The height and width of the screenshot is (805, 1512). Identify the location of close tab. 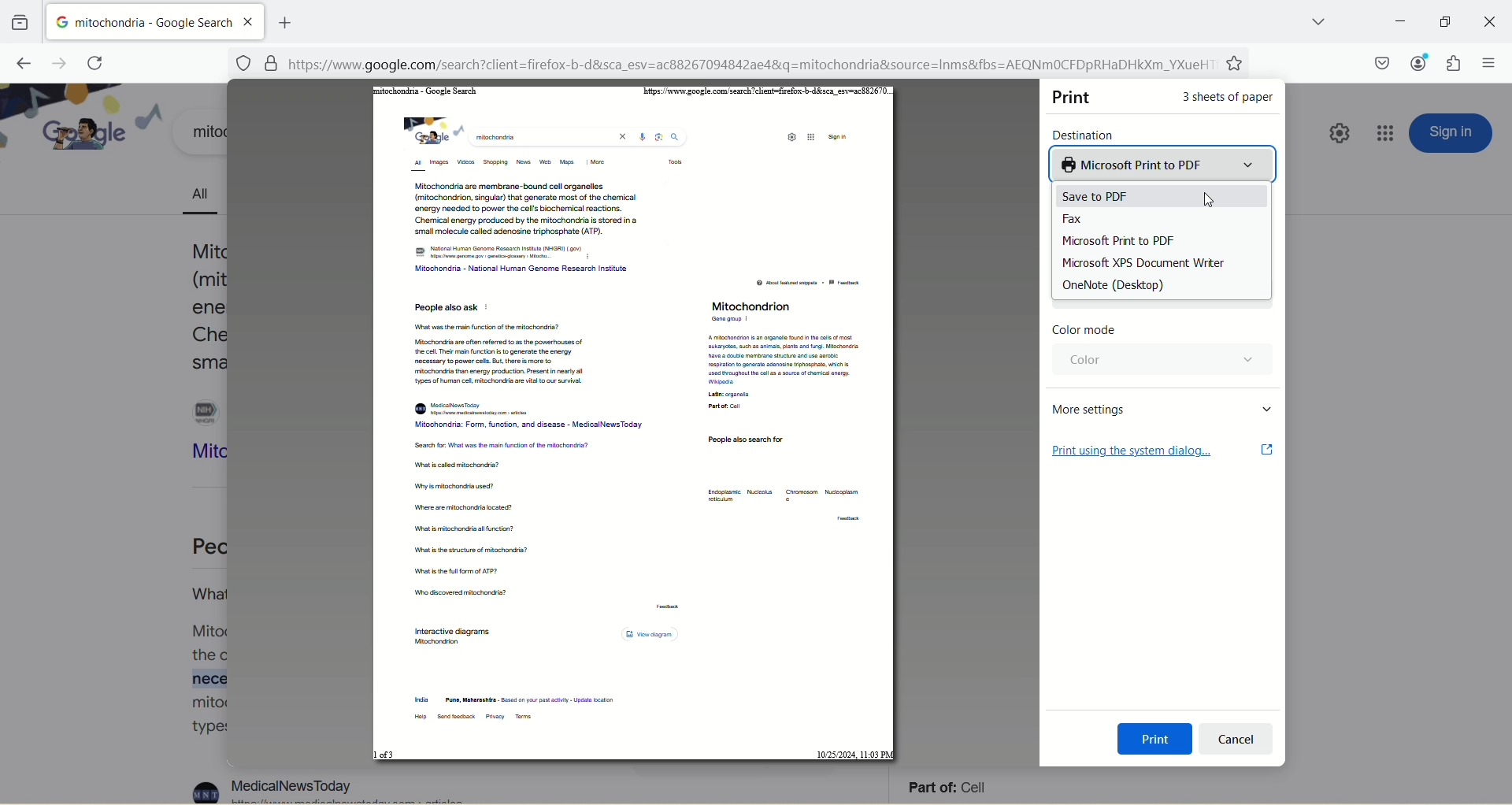
(250, 21).